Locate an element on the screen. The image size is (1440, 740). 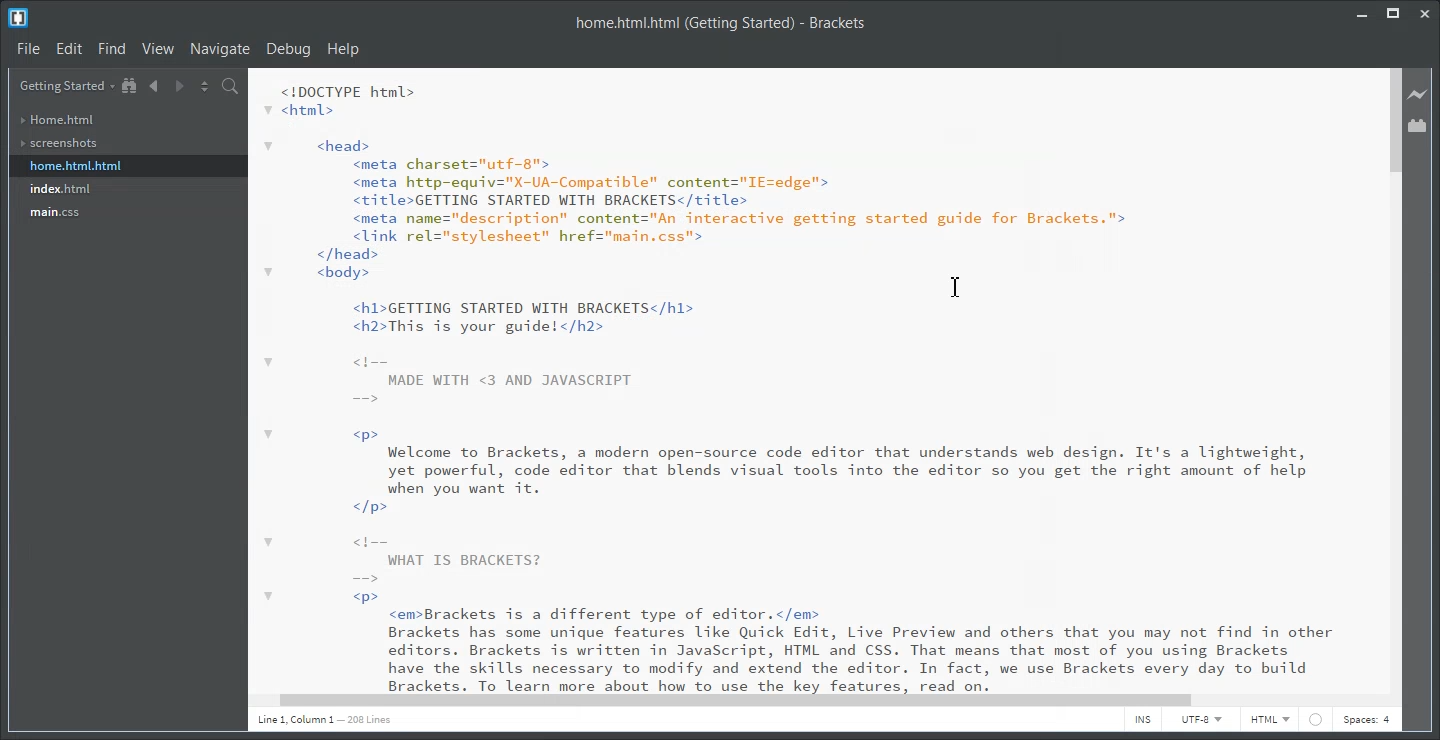
Extension Manager is located at coordinates (1418, 125).